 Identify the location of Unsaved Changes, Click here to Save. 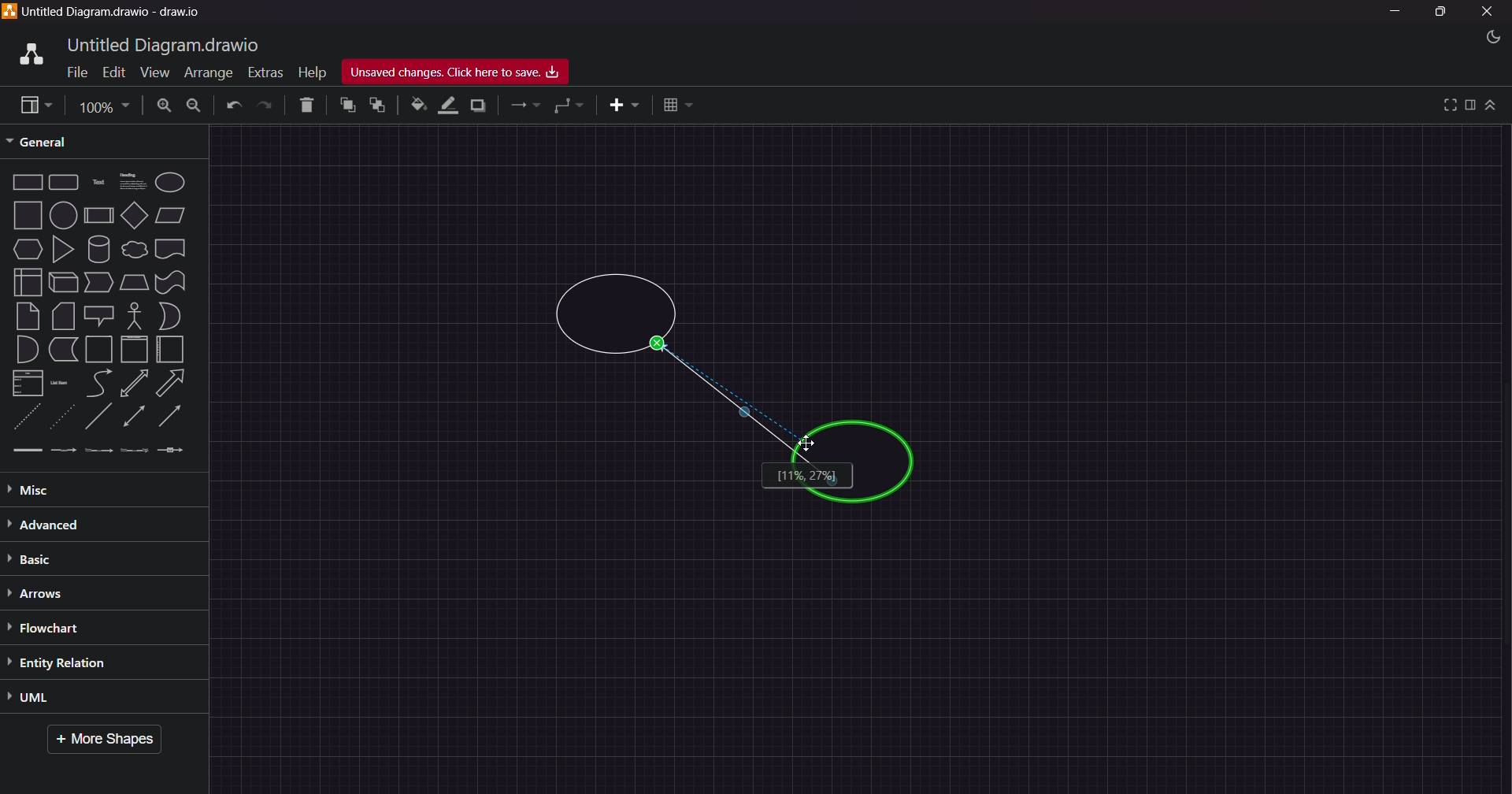
(462, 72).